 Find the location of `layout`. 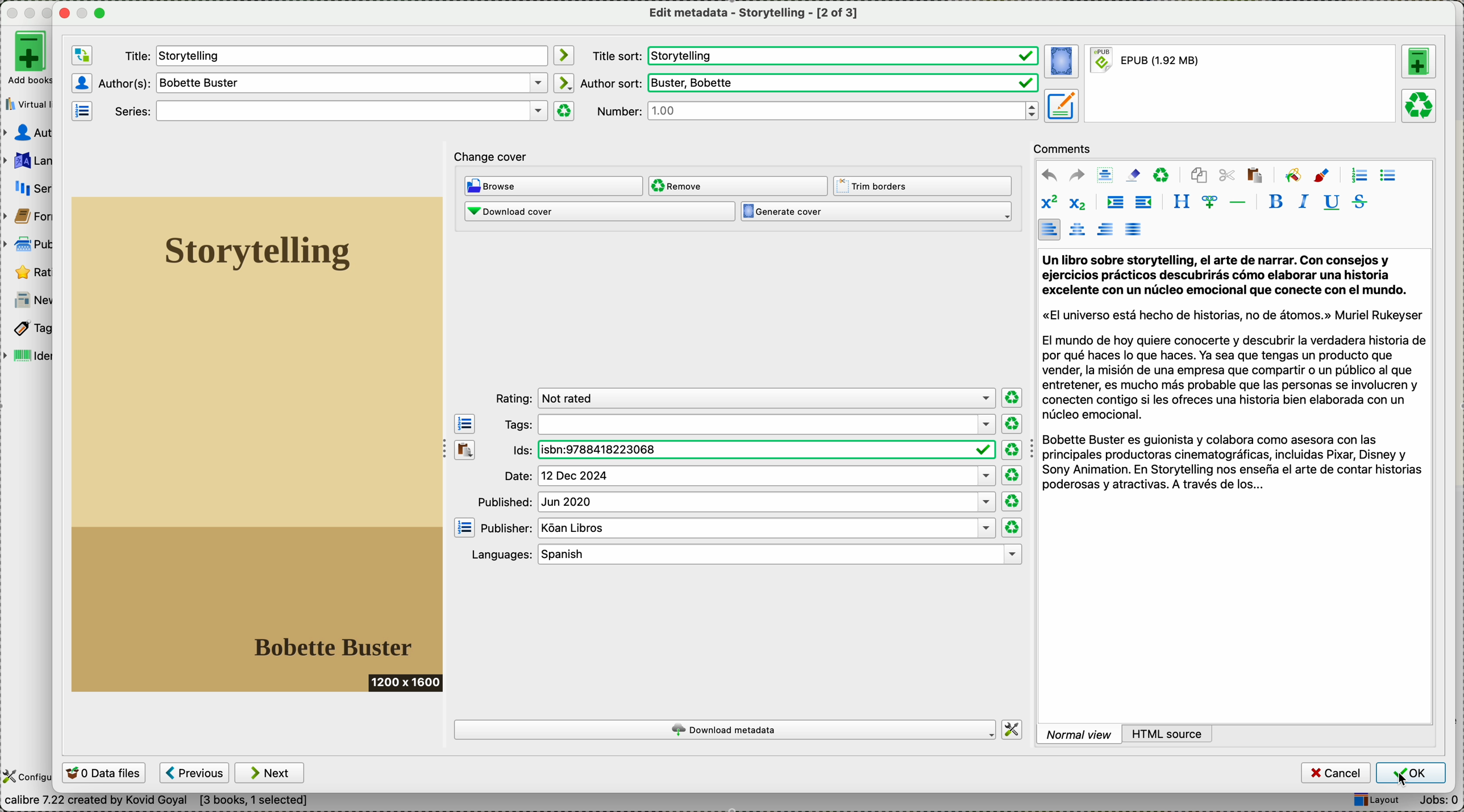

layout is located at coordinates (1373, 799).